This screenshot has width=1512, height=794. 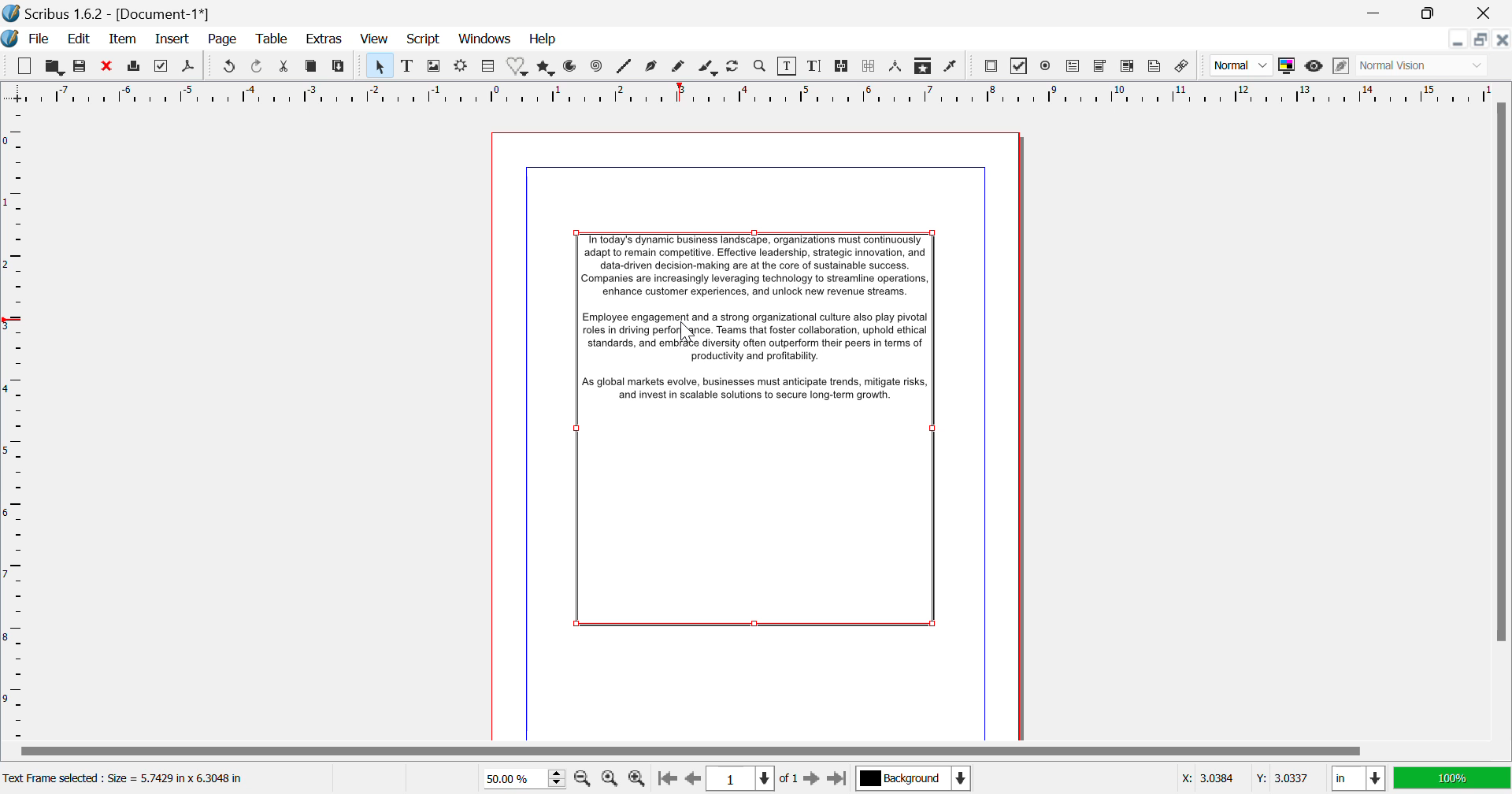 I want to click on Polygons, so click(x=547, y=66).